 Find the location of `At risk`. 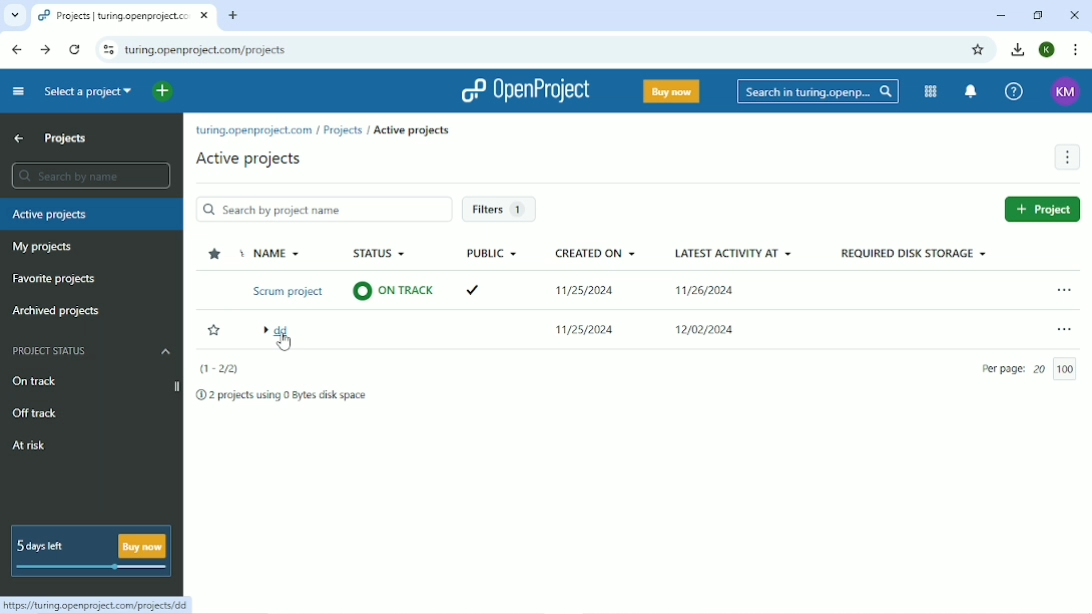

At risk is located at coordinates (30, 447).